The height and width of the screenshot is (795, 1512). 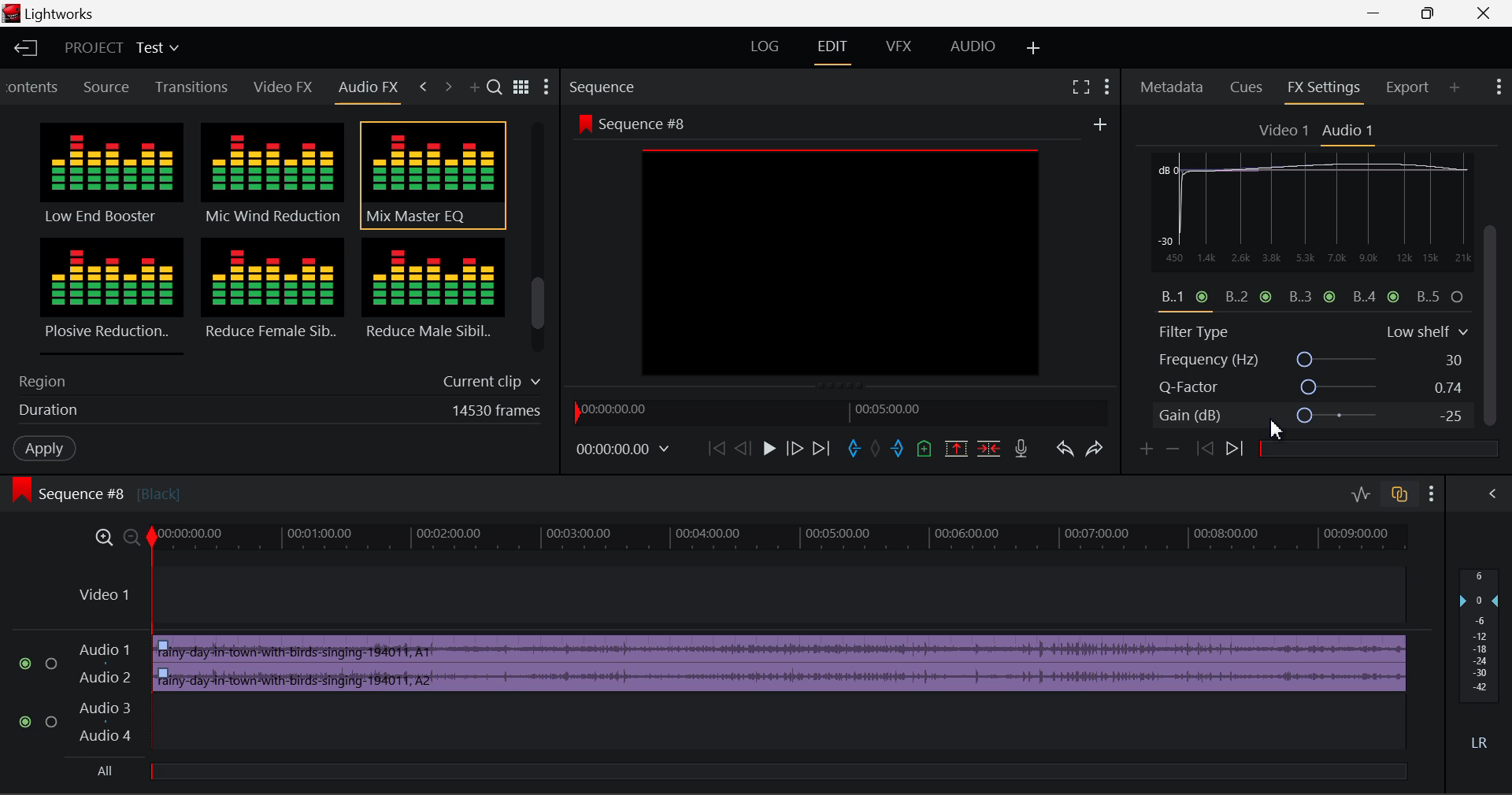 I want to click on Low End Booster, so click(x=109, y=175).